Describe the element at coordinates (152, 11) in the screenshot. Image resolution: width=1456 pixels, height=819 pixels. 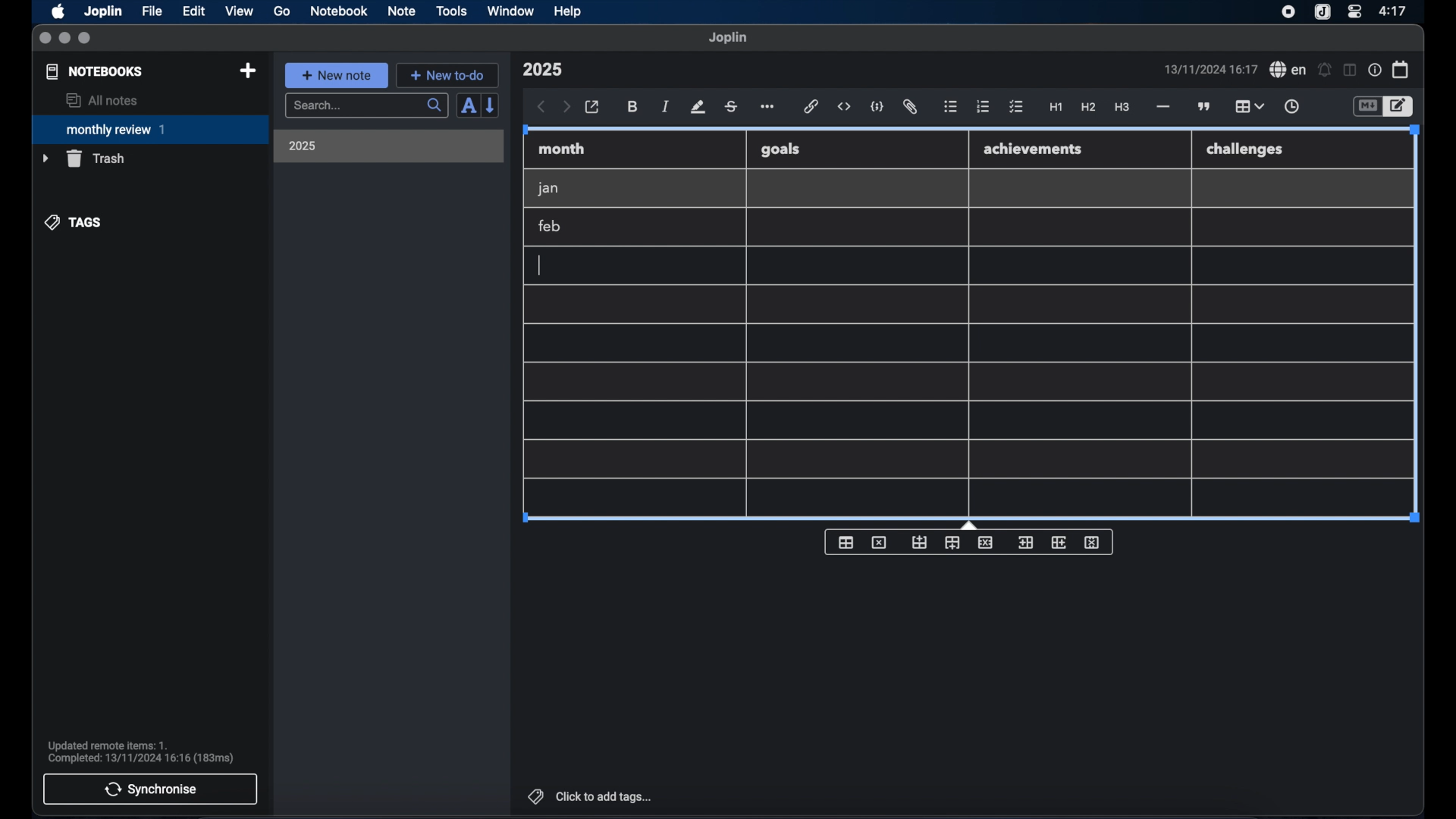
I see `file` at that location.